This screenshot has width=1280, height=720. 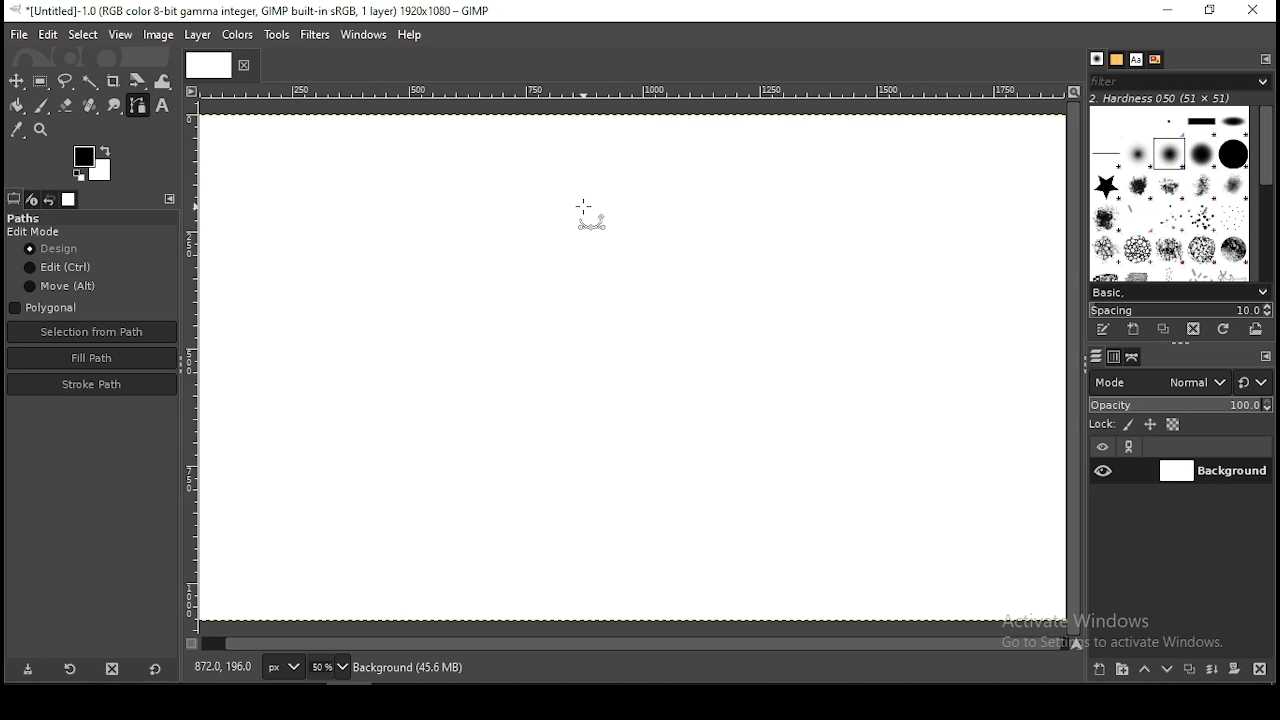 I want to click on zoom tool, so click(x=42, y=129).